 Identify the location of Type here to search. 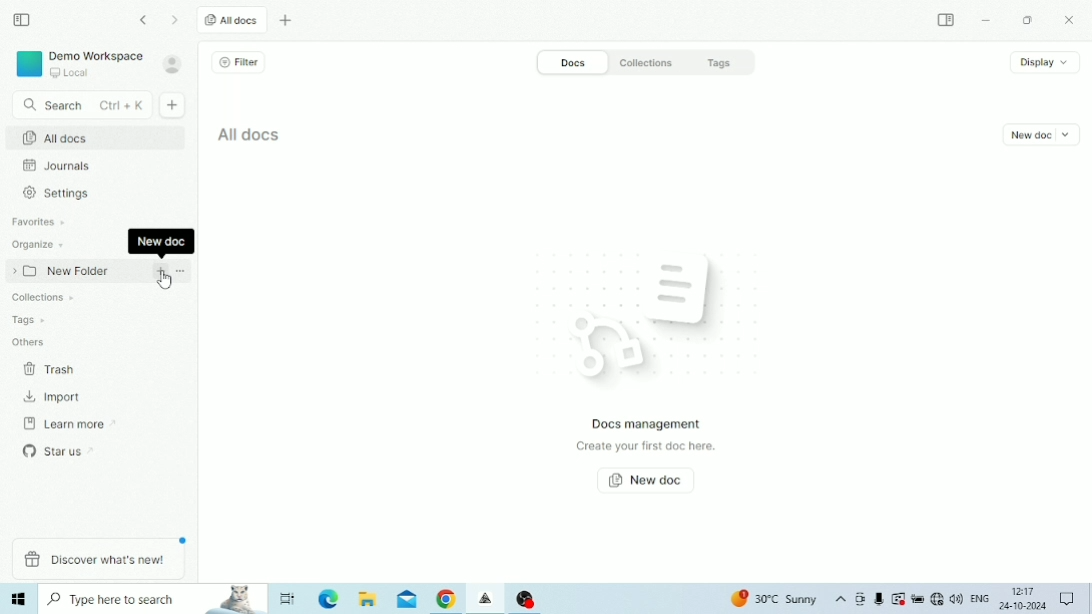
(154, 599).